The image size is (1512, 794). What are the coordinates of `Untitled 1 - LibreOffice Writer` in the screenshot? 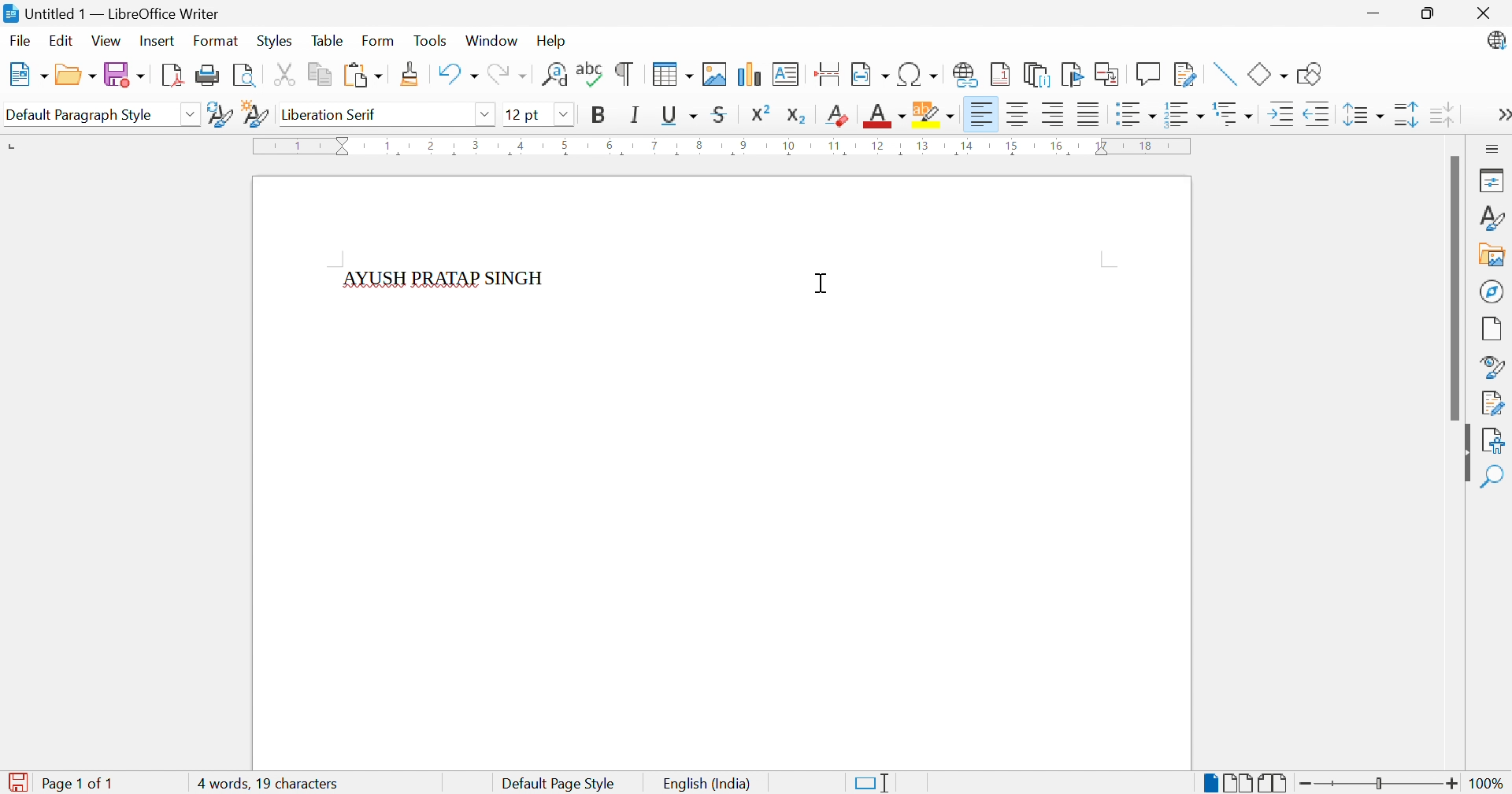 It's located at (110, 13).